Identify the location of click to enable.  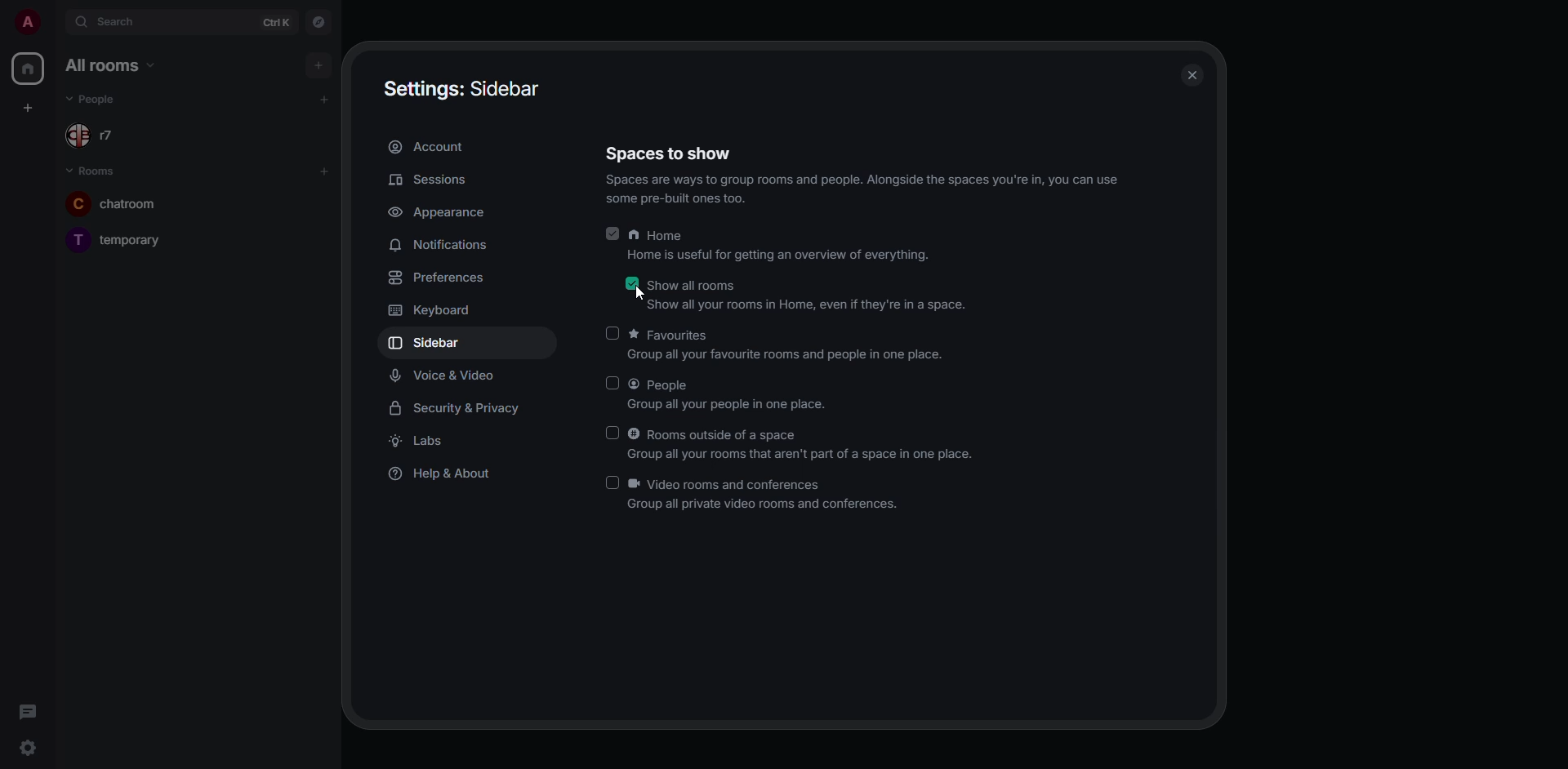
(609, 434).